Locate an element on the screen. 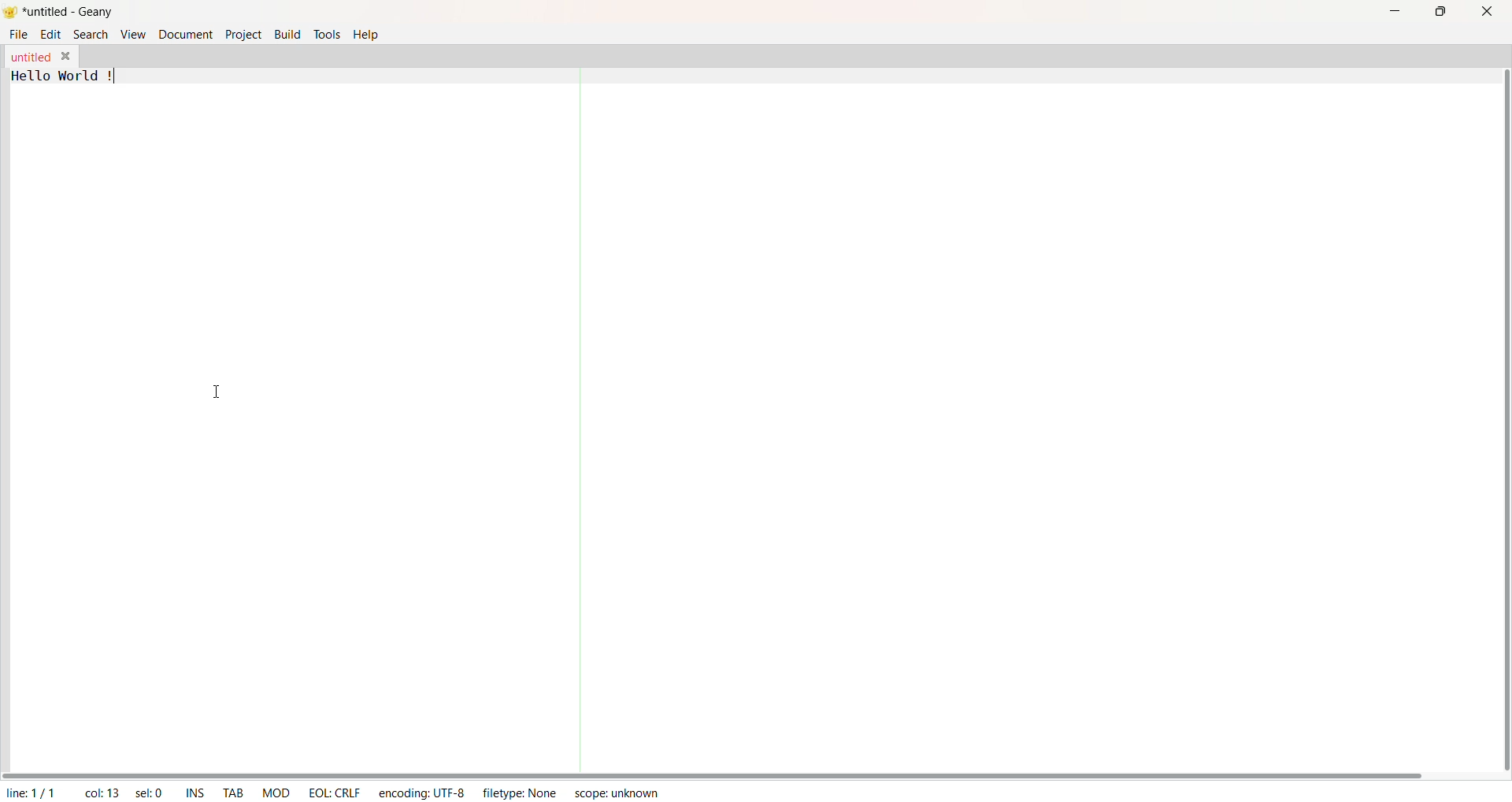  Edit is located at coordinates (51, 35).